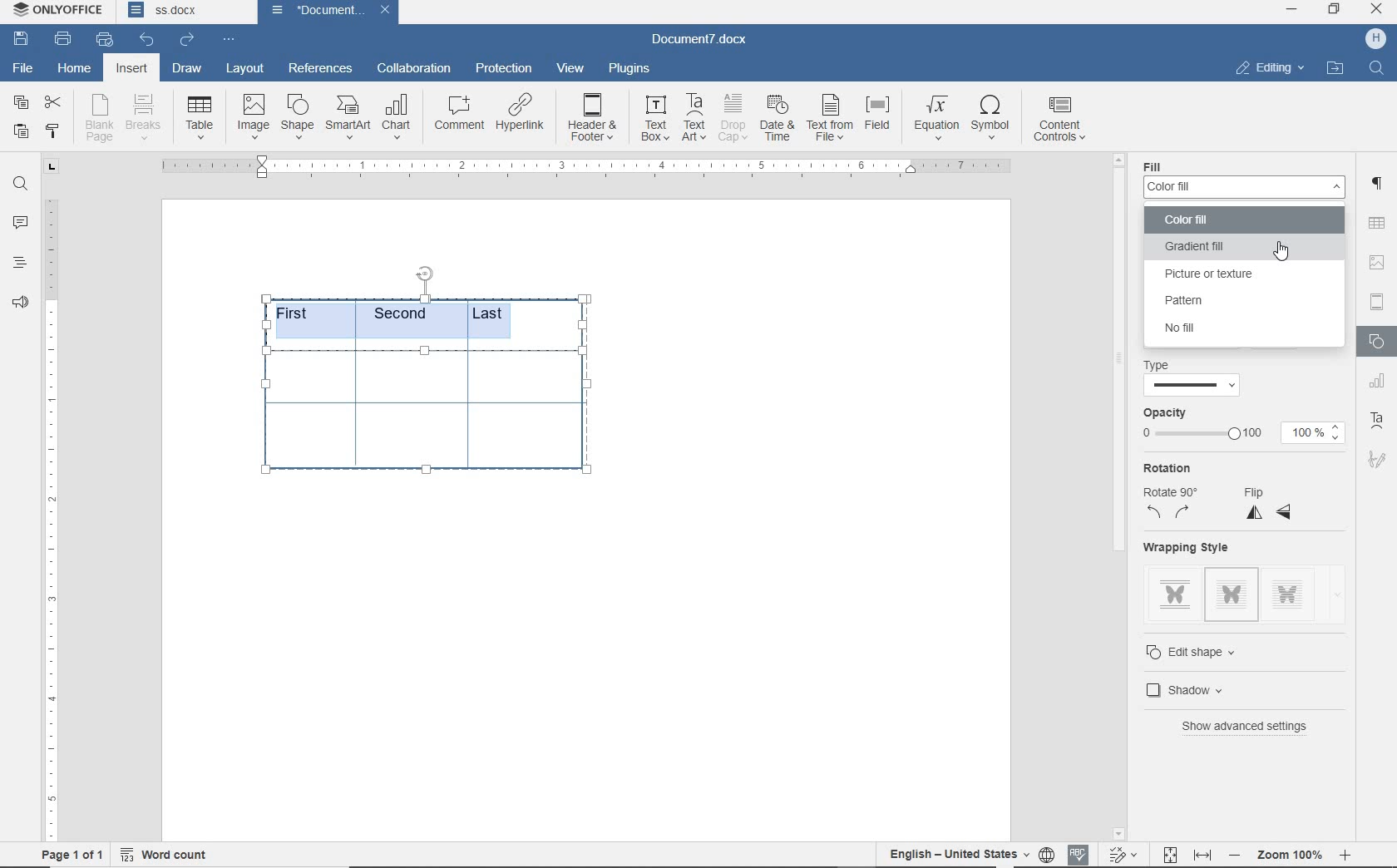 The image size is (1397, 868). Describe the element at coordinates (1125, 853) in the screenshot. I see `track changes` at that location.